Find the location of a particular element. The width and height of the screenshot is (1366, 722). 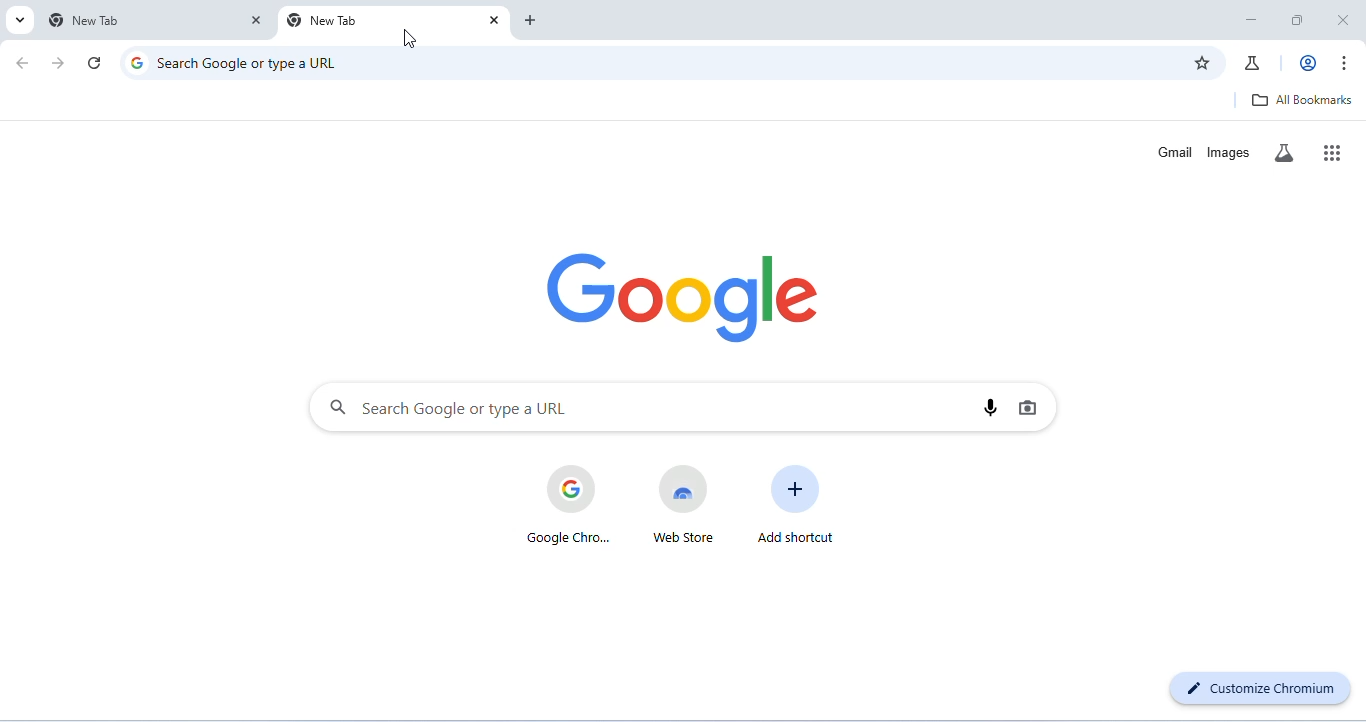

add bookmark is located at coordinates (1198, 61).